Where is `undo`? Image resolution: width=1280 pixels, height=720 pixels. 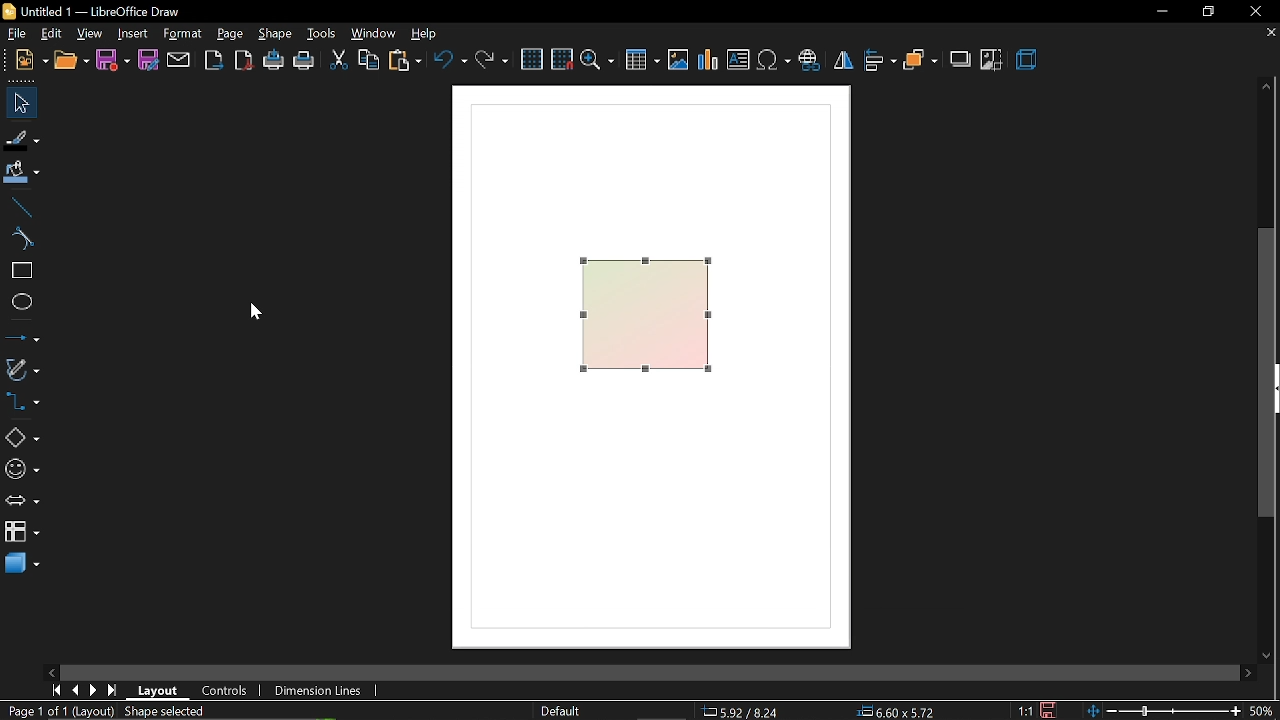 undo is located at coordinates (450, 62).